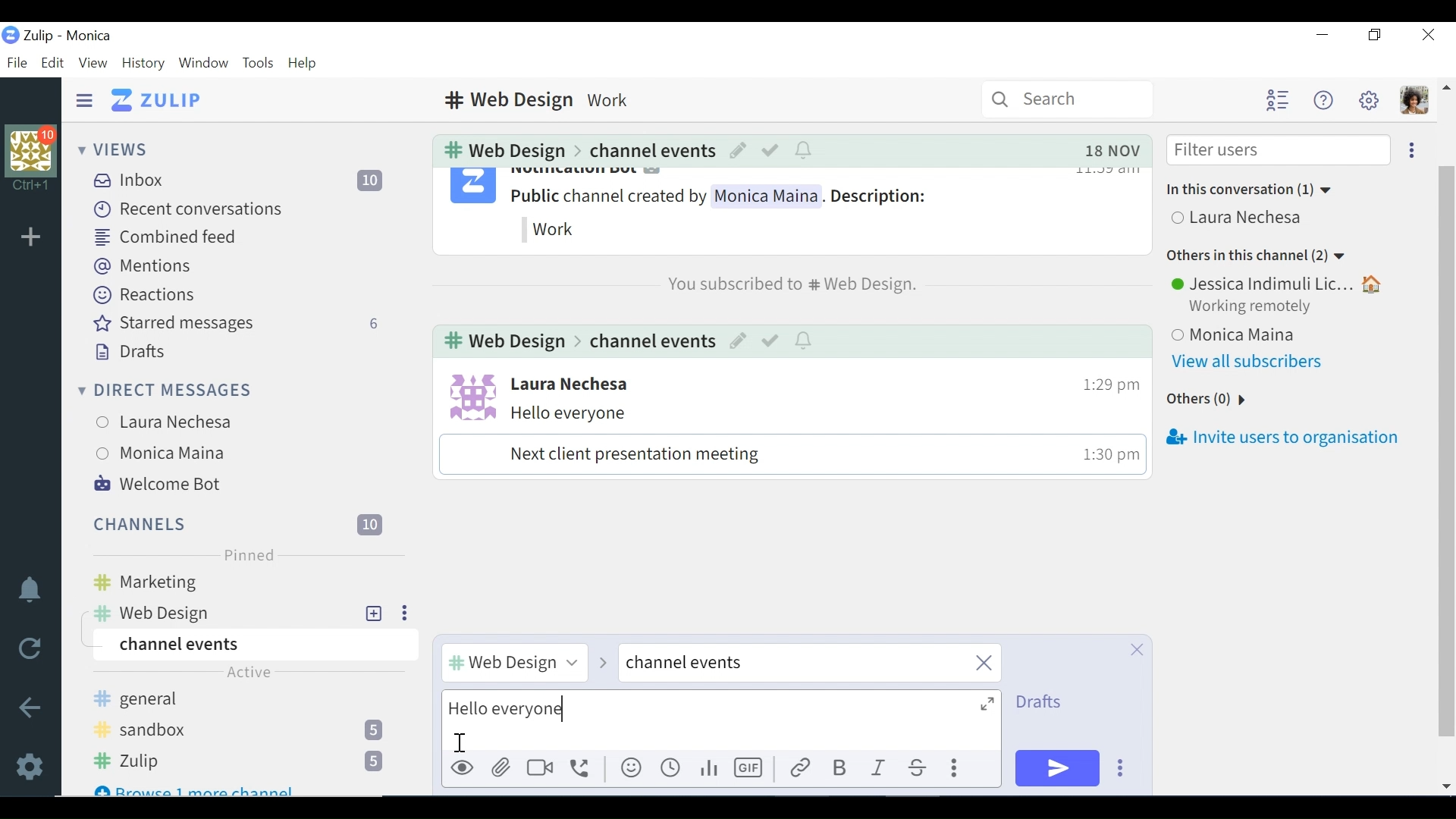  What do you see at coordinates (957, 769) in the screenshot?
I see `Compose actions` at bounding box center [957, 769].